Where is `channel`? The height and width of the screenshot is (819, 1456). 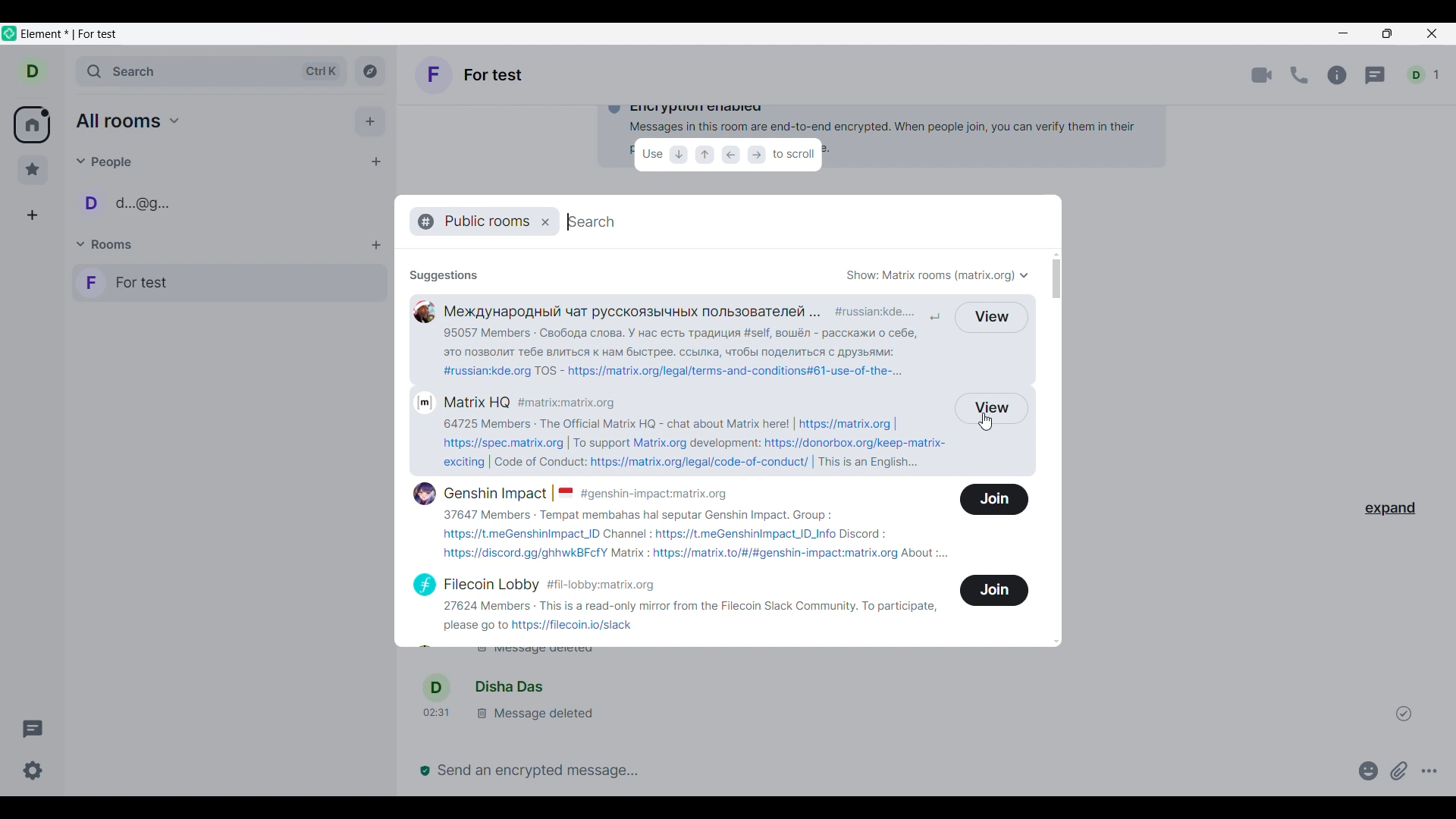
channel is located at coordinates (627, 534).